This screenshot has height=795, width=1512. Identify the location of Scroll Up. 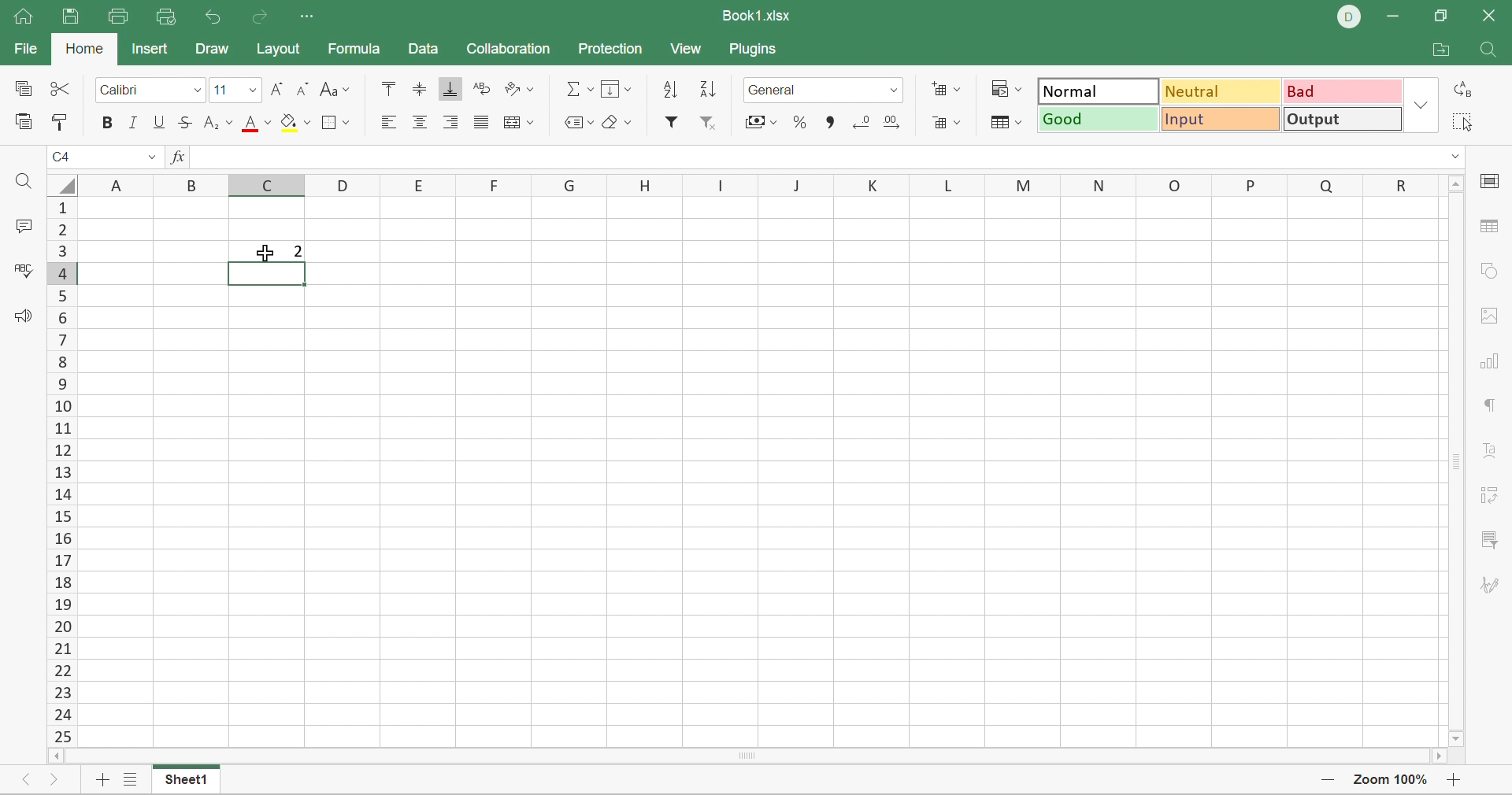
(1458, 187).